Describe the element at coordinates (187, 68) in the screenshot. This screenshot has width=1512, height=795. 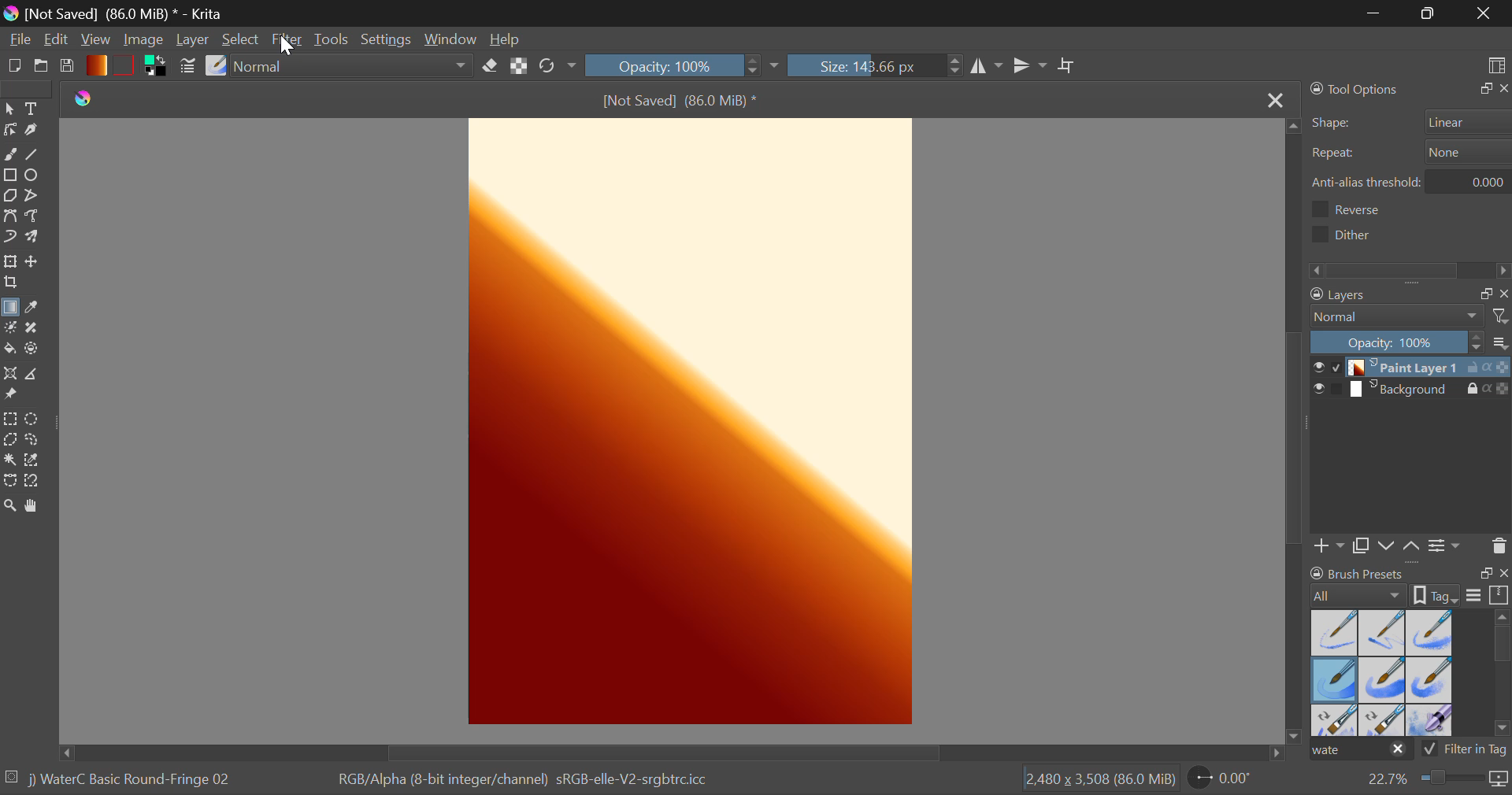
I see `Brusht Settings` at that location.